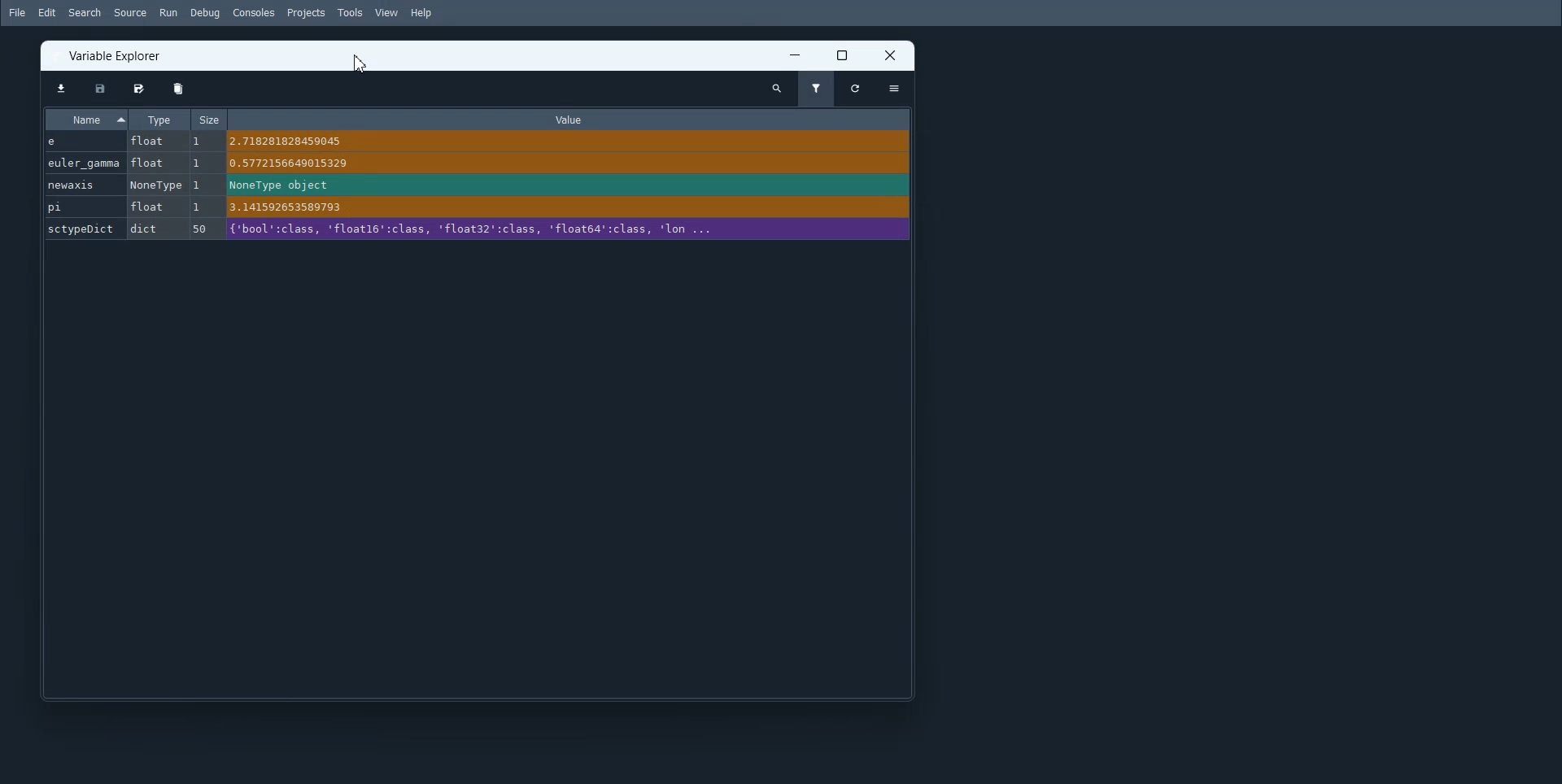 The width and height of the screenshot is (1562, 784). What do you see at coordinates (83, 162) in the screenshot?
I see `euler_gamma` at bounding box center [83, 162].